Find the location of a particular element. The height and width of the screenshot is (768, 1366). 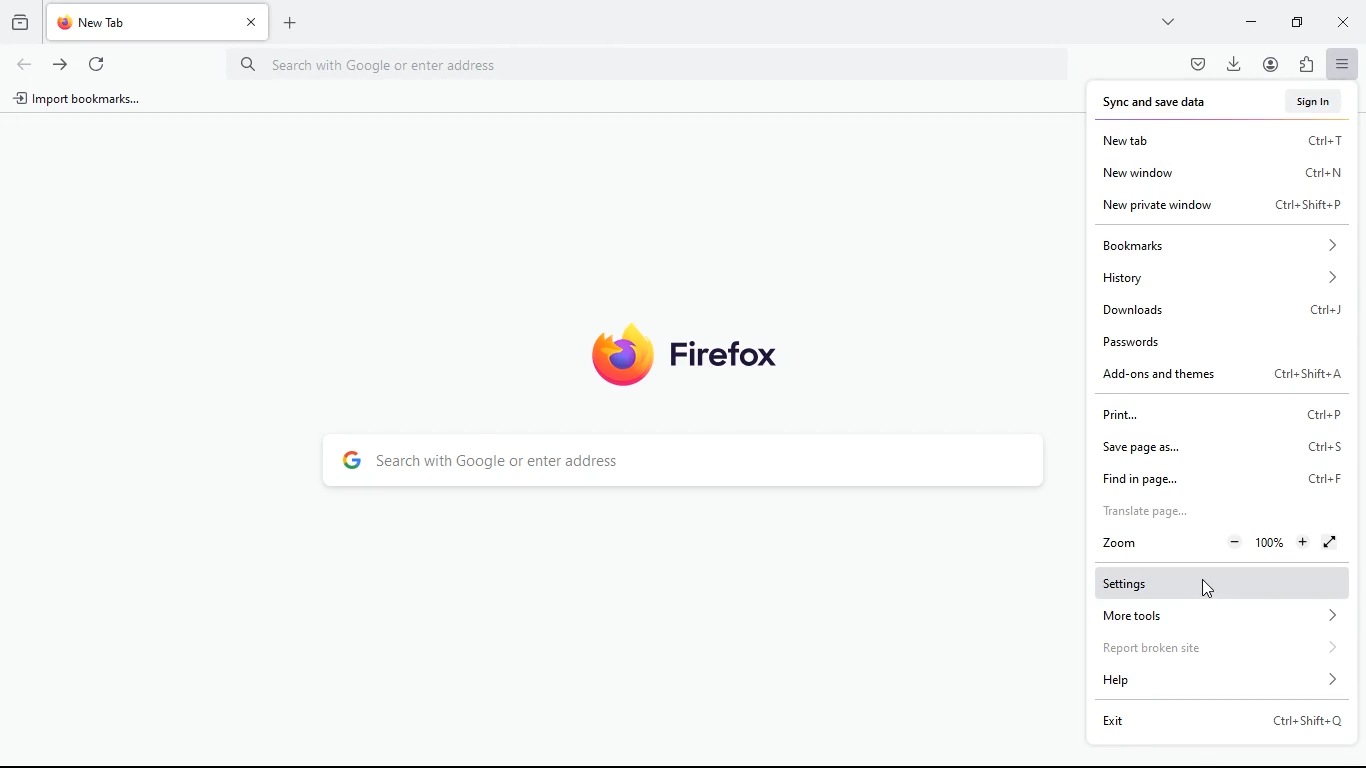

bookmarks is located at coordinates (1224, 246).